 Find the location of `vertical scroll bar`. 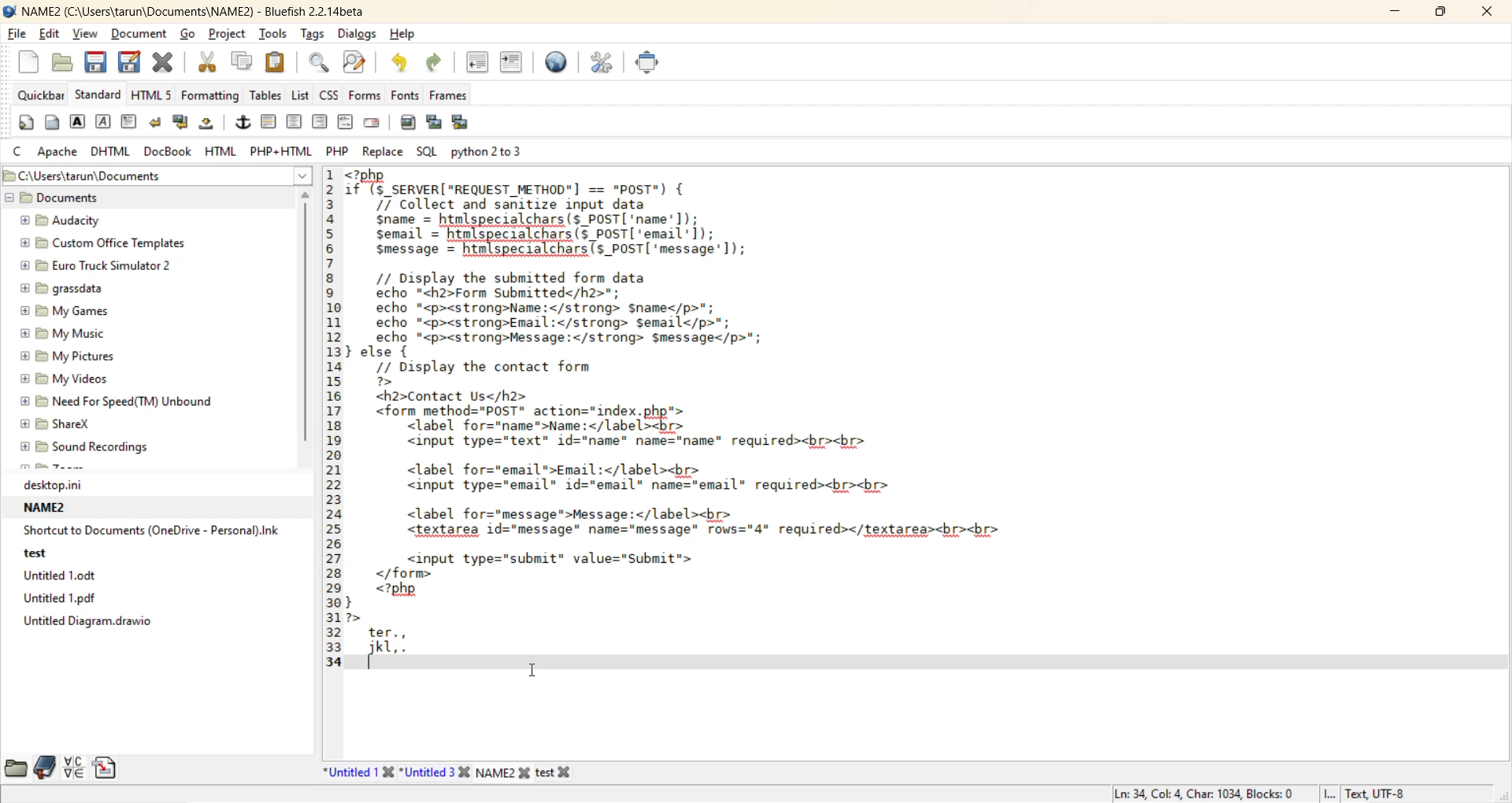

vertical scroll bar is located at coordinates (309, 323).